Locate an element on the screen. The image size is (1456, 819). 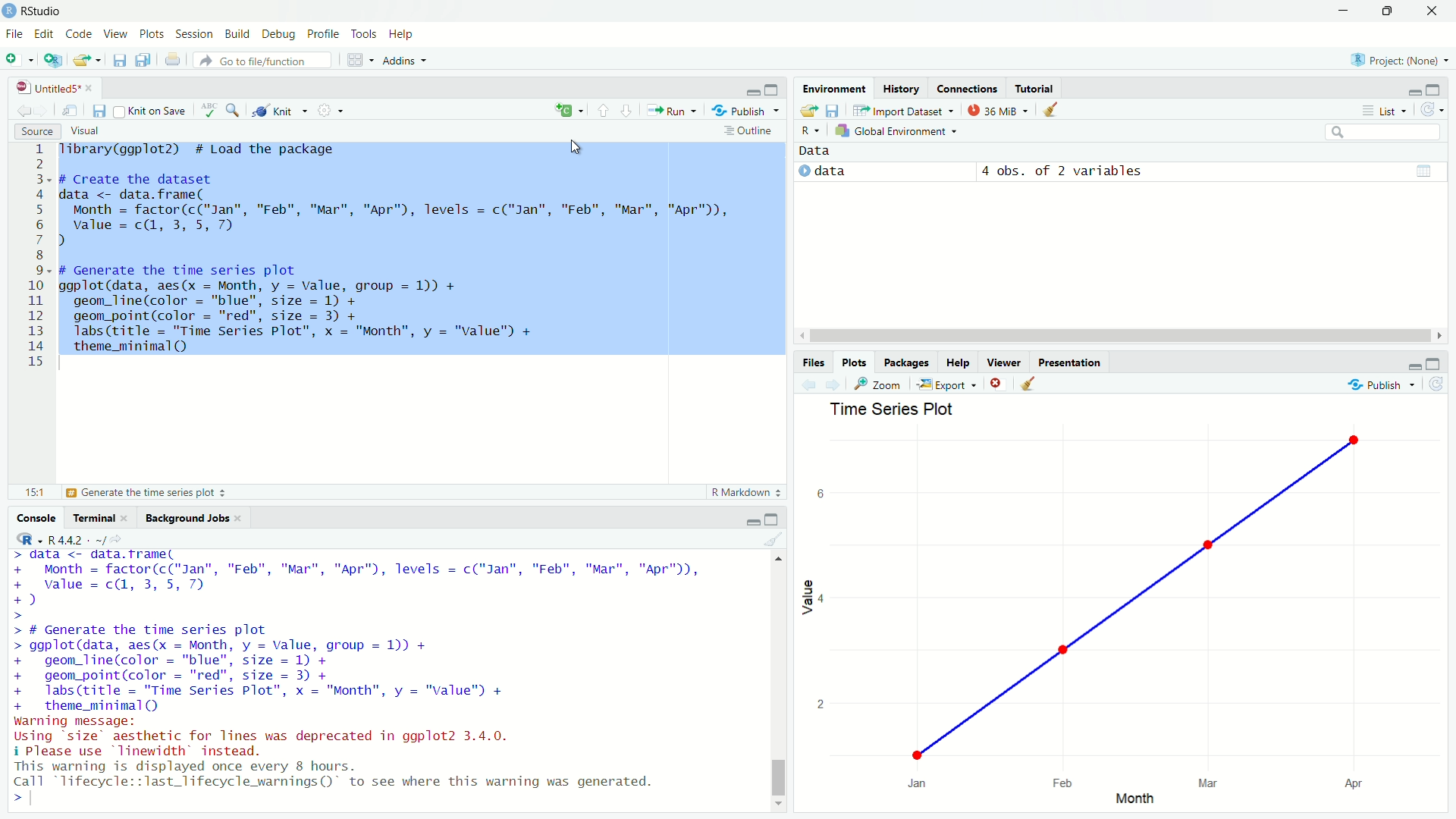
debug is located at coordinates (280, 34).